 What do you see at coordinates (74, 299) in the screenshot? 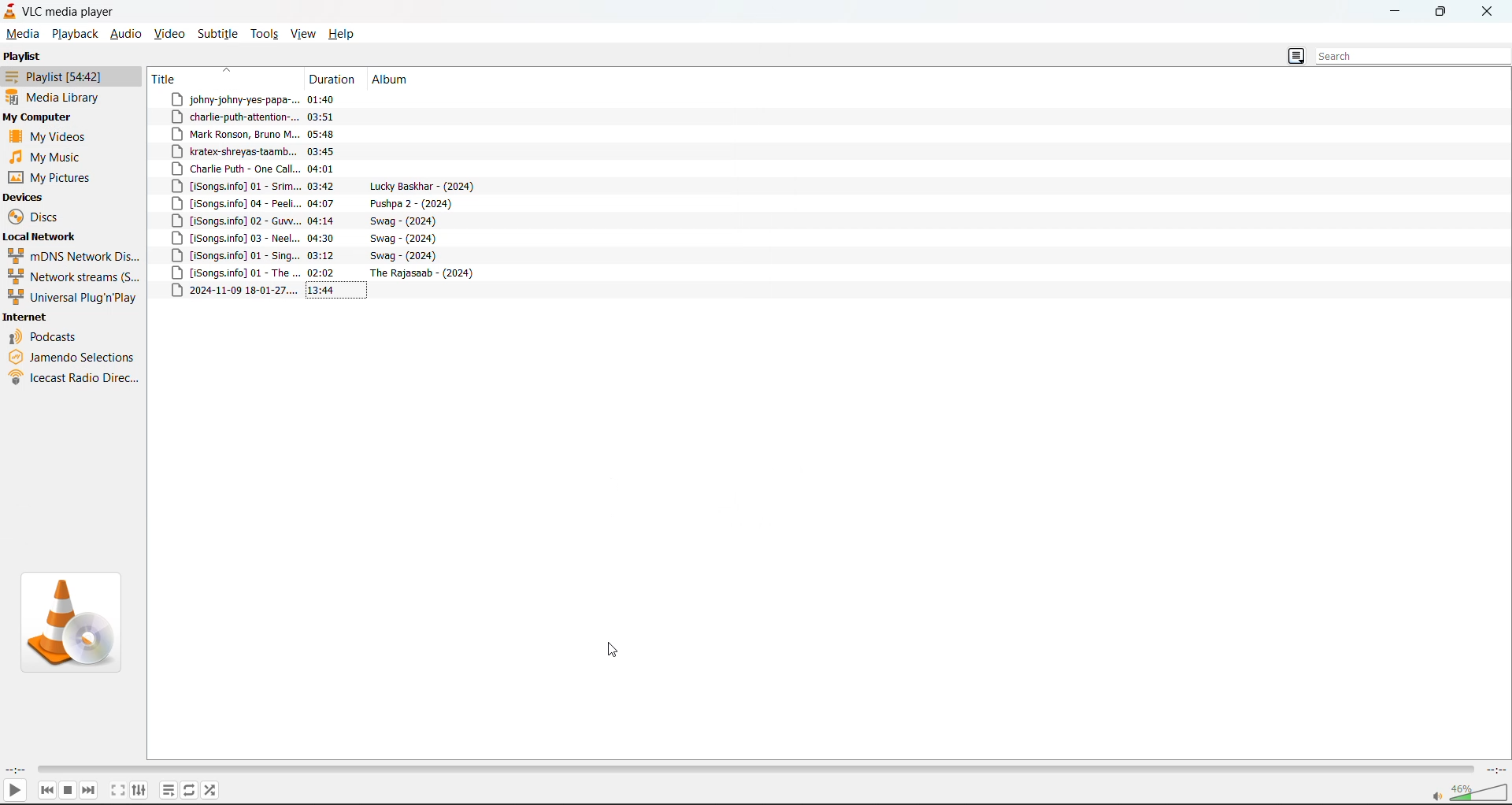
I see `universal plug n play` at bounding box center [74, 299].